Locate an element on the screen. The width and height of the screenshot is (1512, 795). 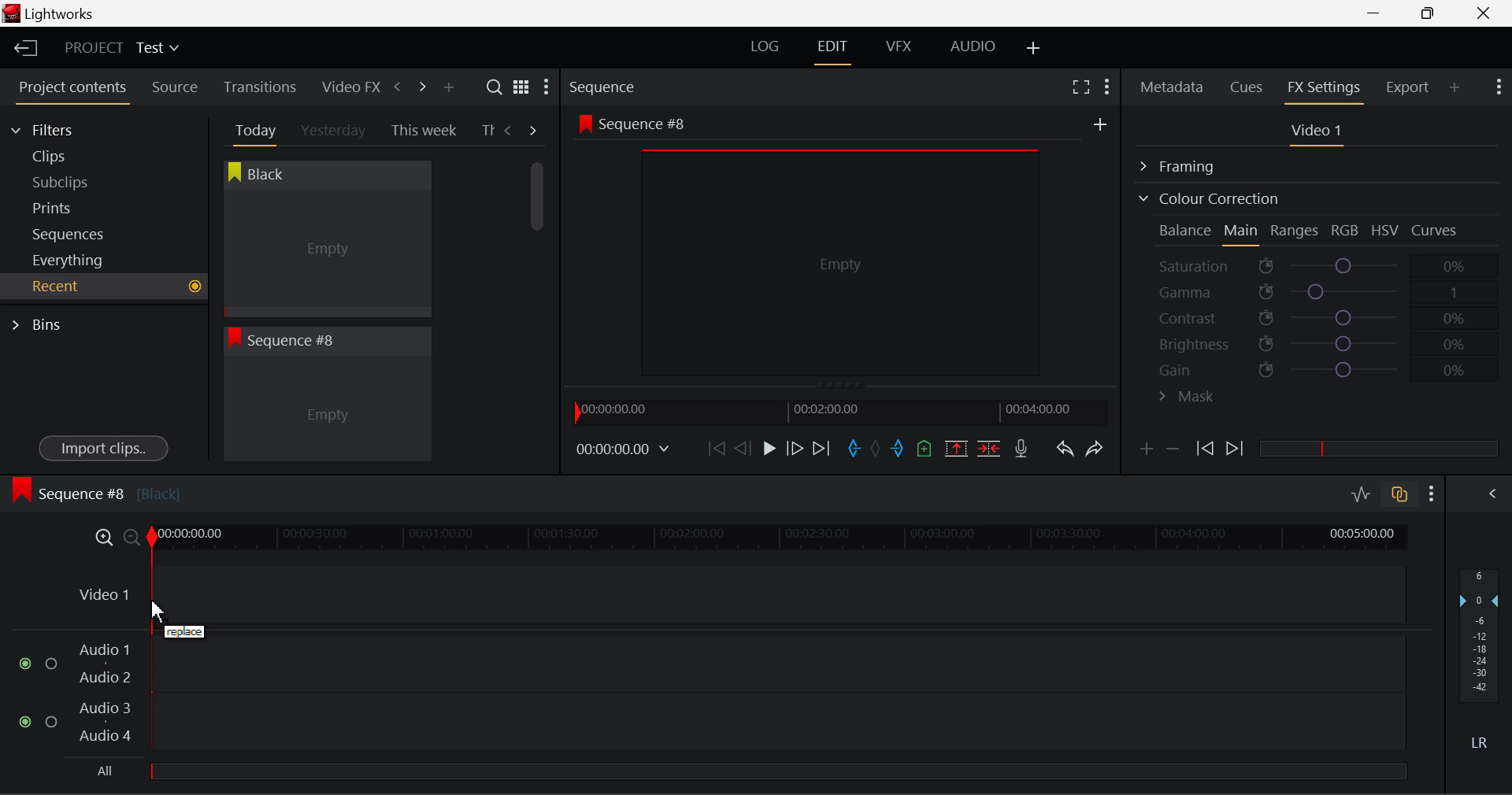
Export Panel is located at coordinates (1410, 87).